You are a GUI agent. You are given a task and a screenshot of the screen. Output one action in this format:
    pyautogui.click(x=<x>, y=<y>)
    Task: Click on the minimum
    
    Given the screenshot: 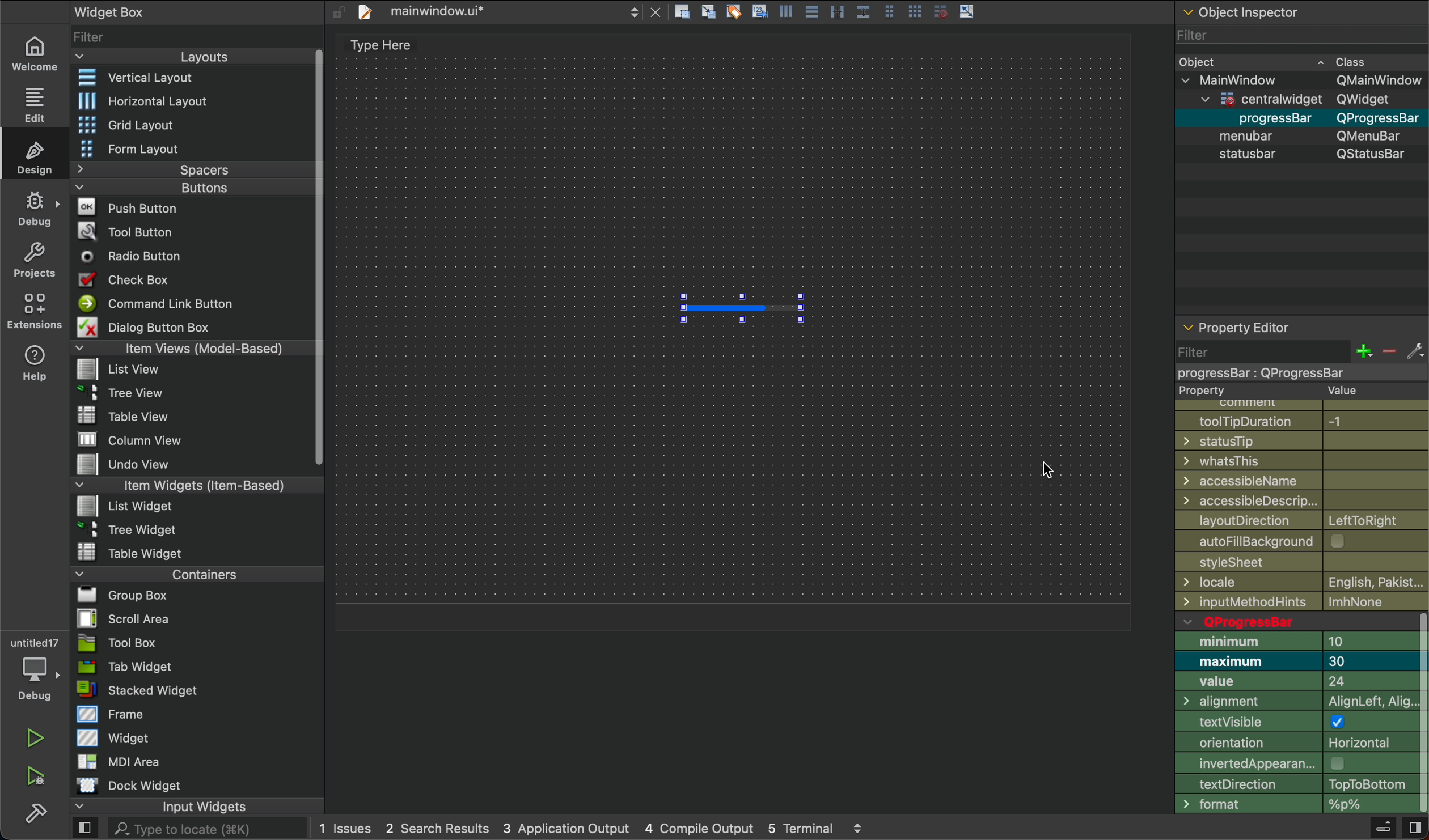 What is the action you would take?
    pyautogui.click(x=1293, y=643)
    